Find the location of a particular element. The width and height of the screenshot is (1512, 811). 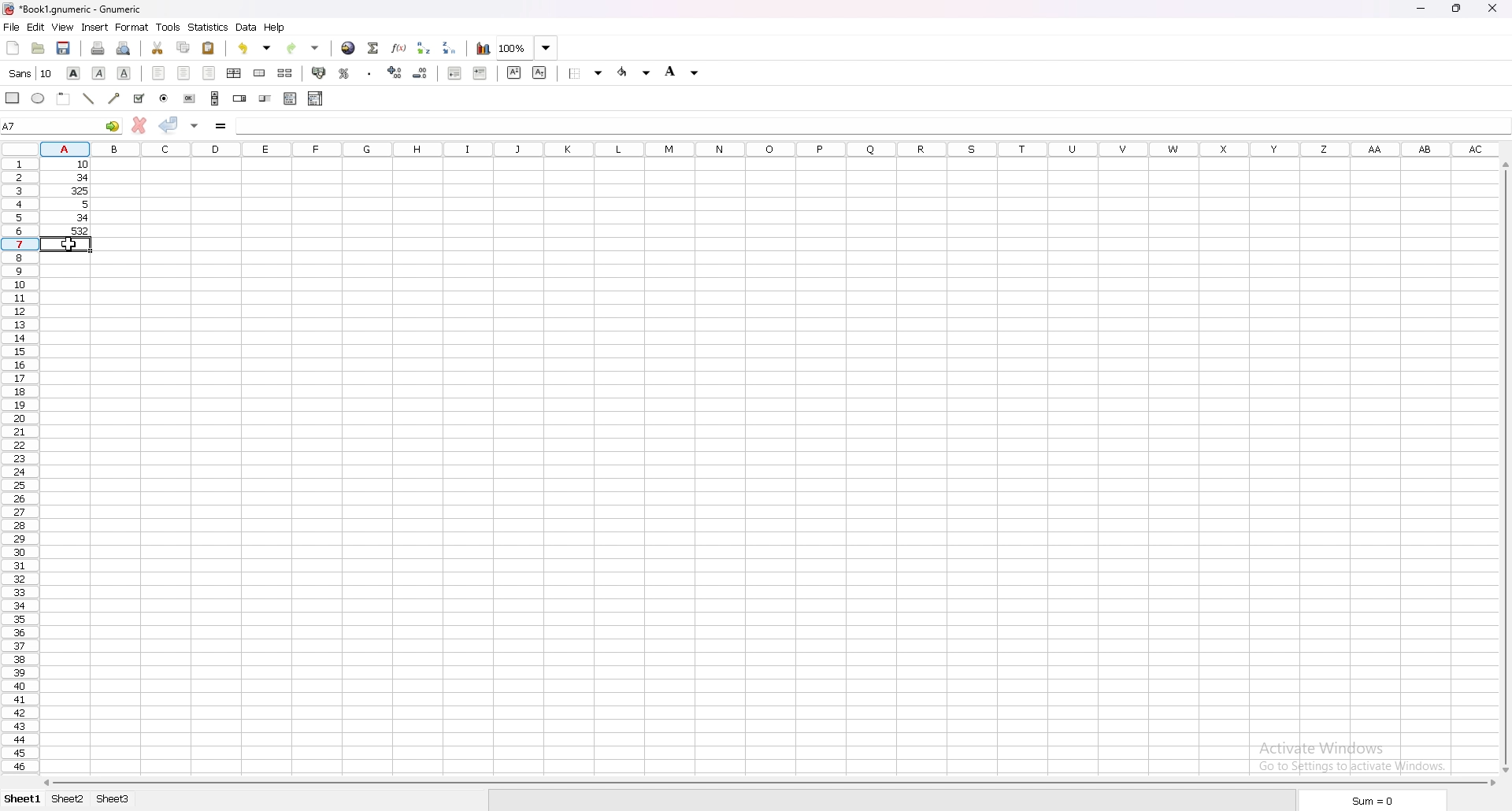

font is located at coordinates (31, 72).